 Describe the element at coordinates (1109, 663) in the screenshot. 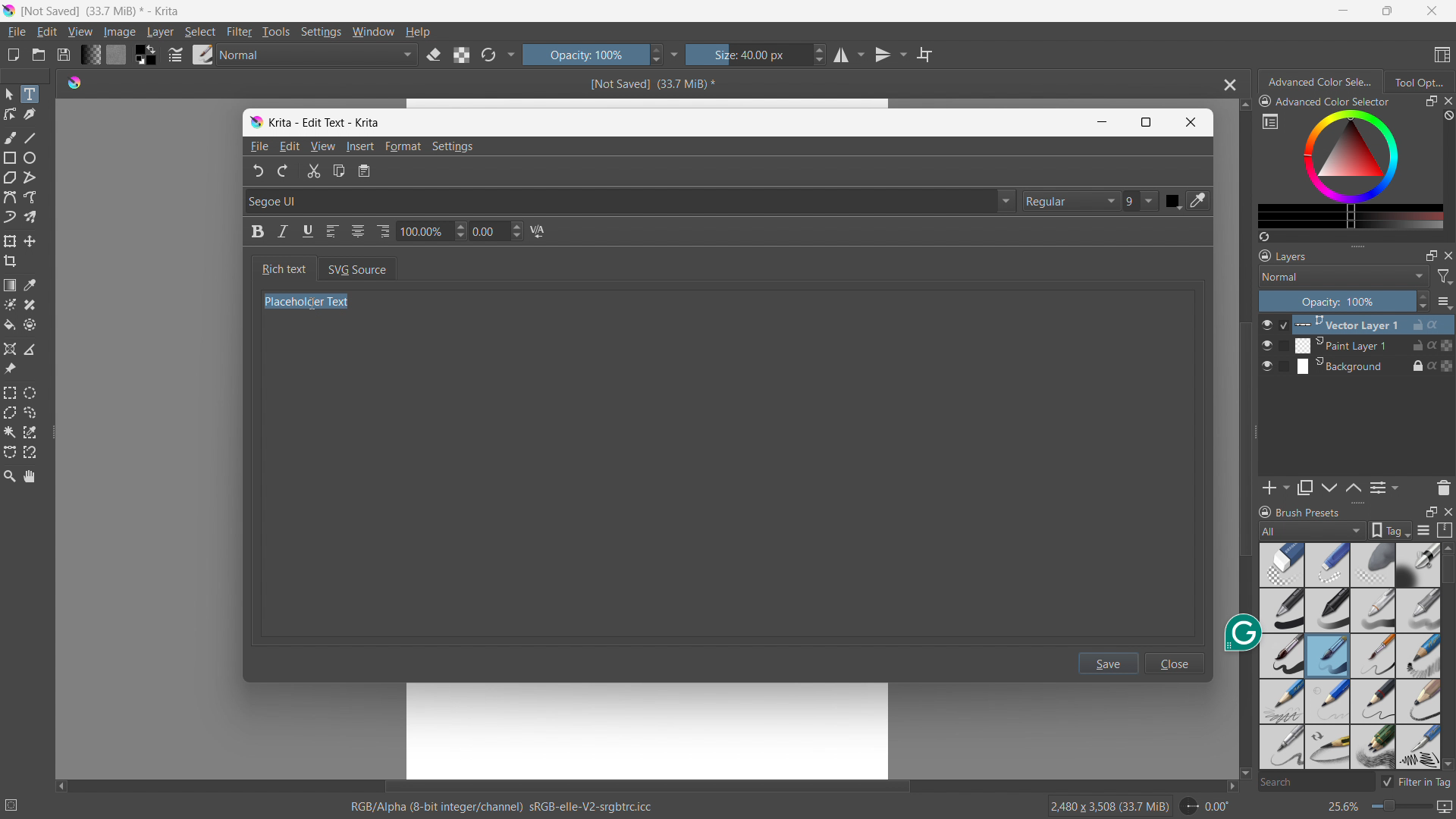

I see `save` at that location.